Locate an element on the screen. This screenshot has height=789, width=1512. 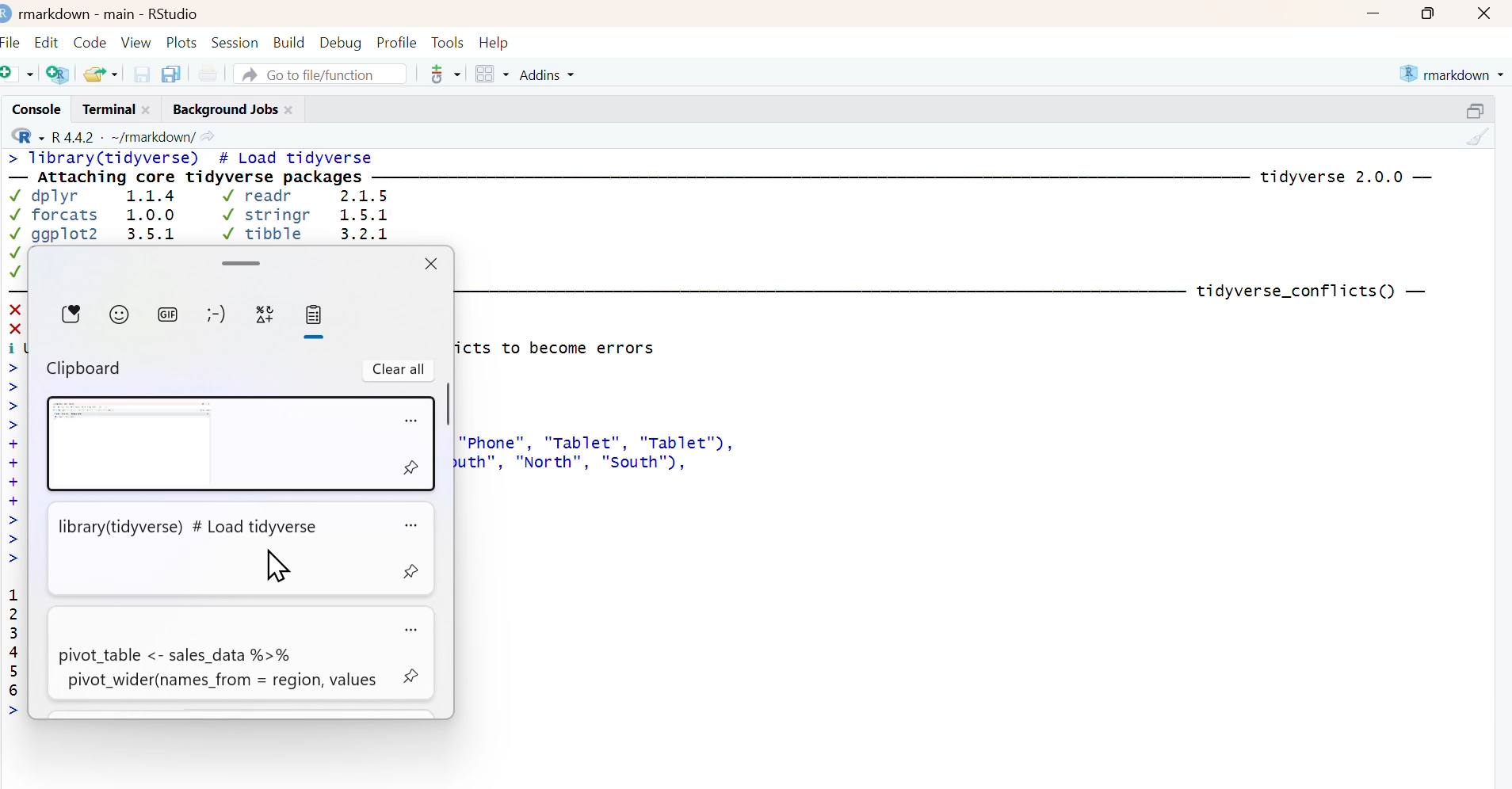
Edit is located at coordinates (48, 39).